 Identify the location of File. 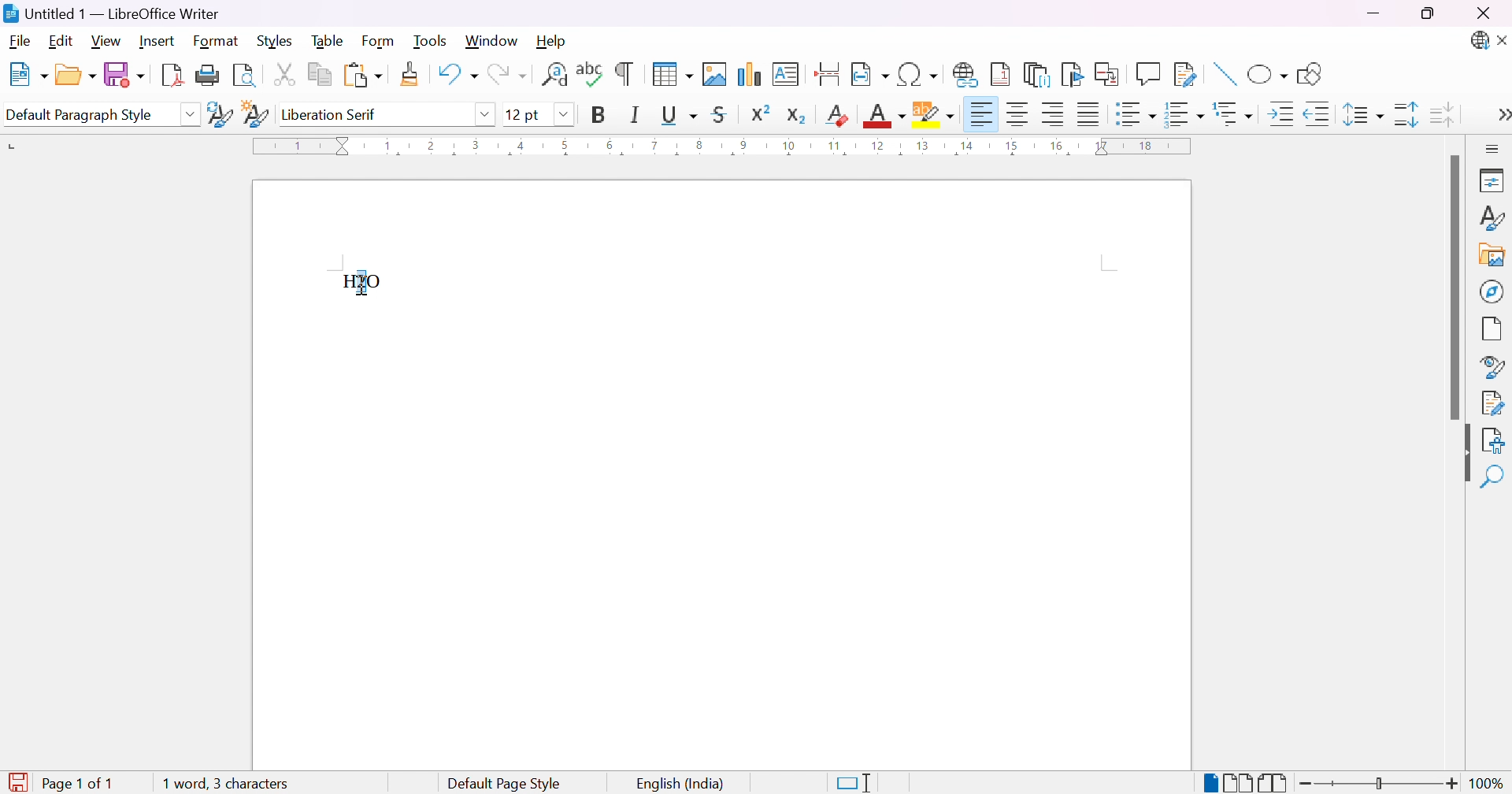
(21, 43).